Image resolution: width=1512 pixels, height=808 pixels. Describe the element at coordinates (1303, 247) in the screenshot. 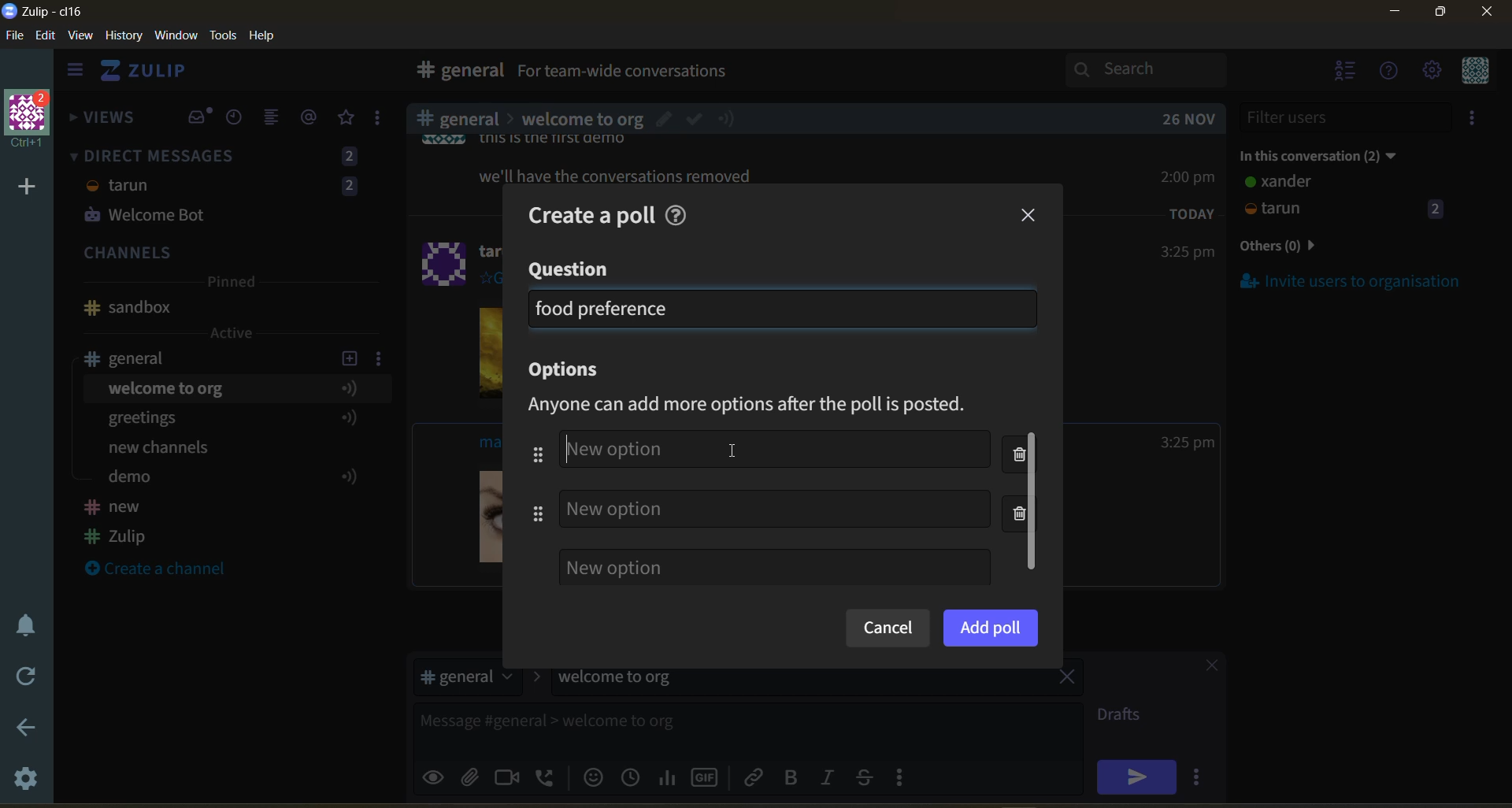

I see `others` at that location.